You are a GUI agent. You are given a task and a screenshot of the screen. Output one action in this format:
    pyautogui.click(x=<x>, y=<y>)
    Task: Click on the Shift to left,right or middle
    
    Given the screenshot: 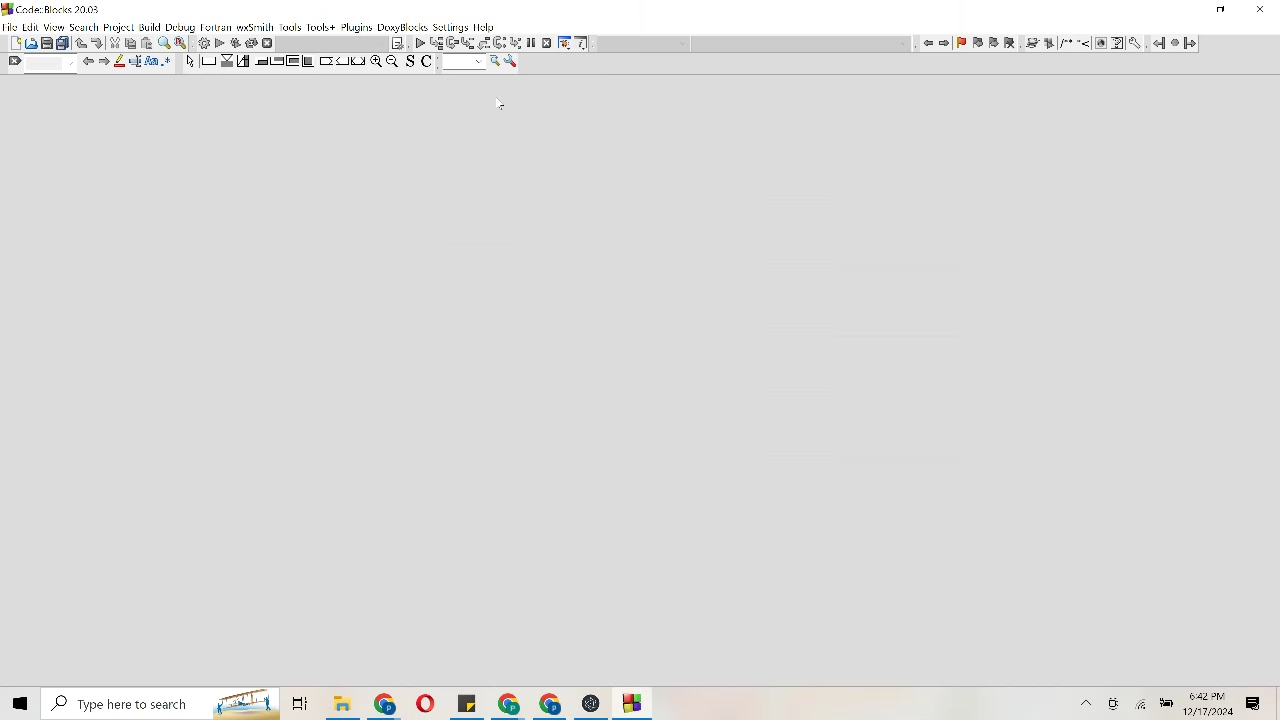 What is the action you would take?
    pyautogui.click(x=342, y=61)
    